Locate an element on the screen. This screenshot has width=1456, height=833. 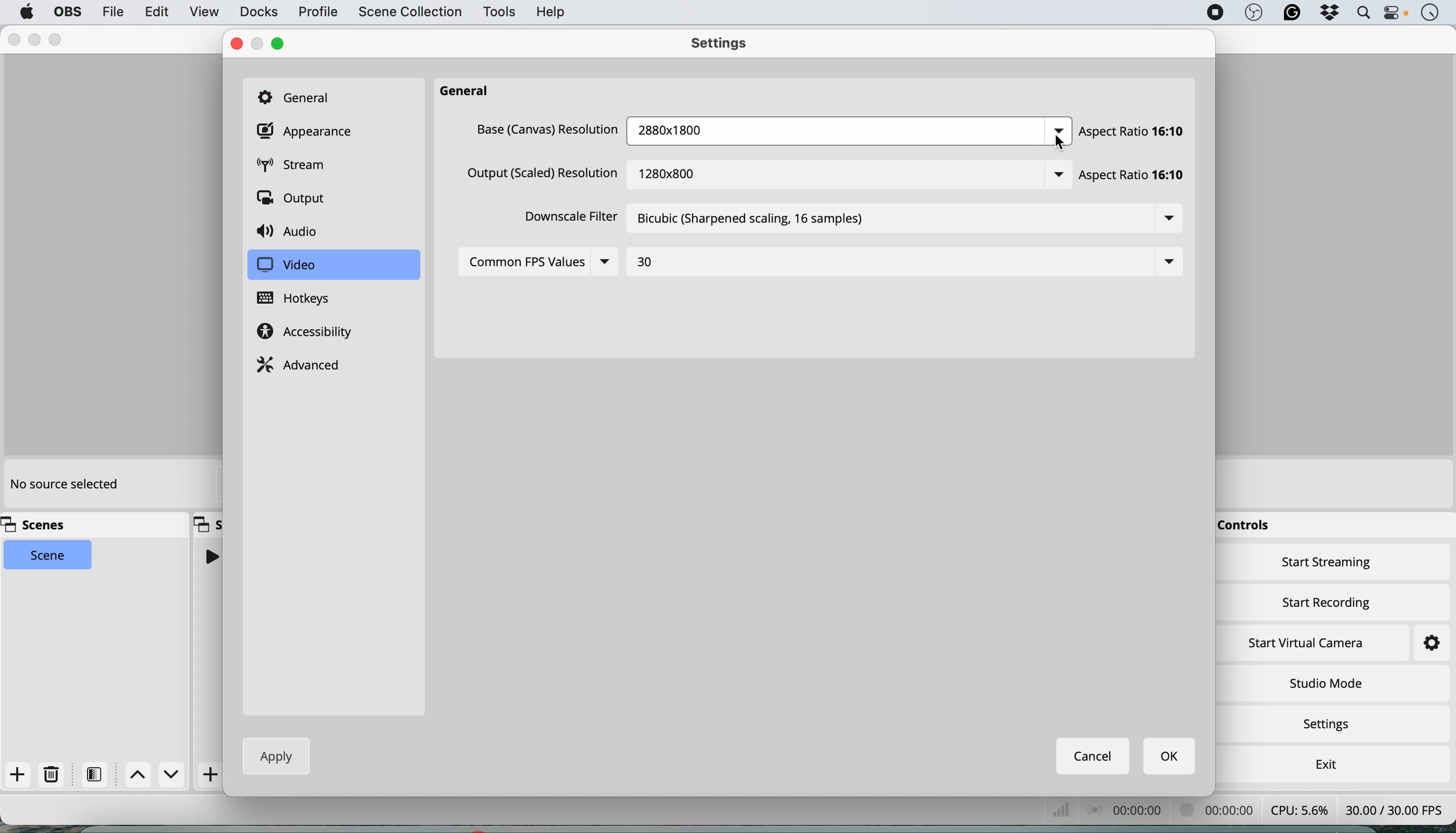
downscale filter is located at coordinates (567, 219).